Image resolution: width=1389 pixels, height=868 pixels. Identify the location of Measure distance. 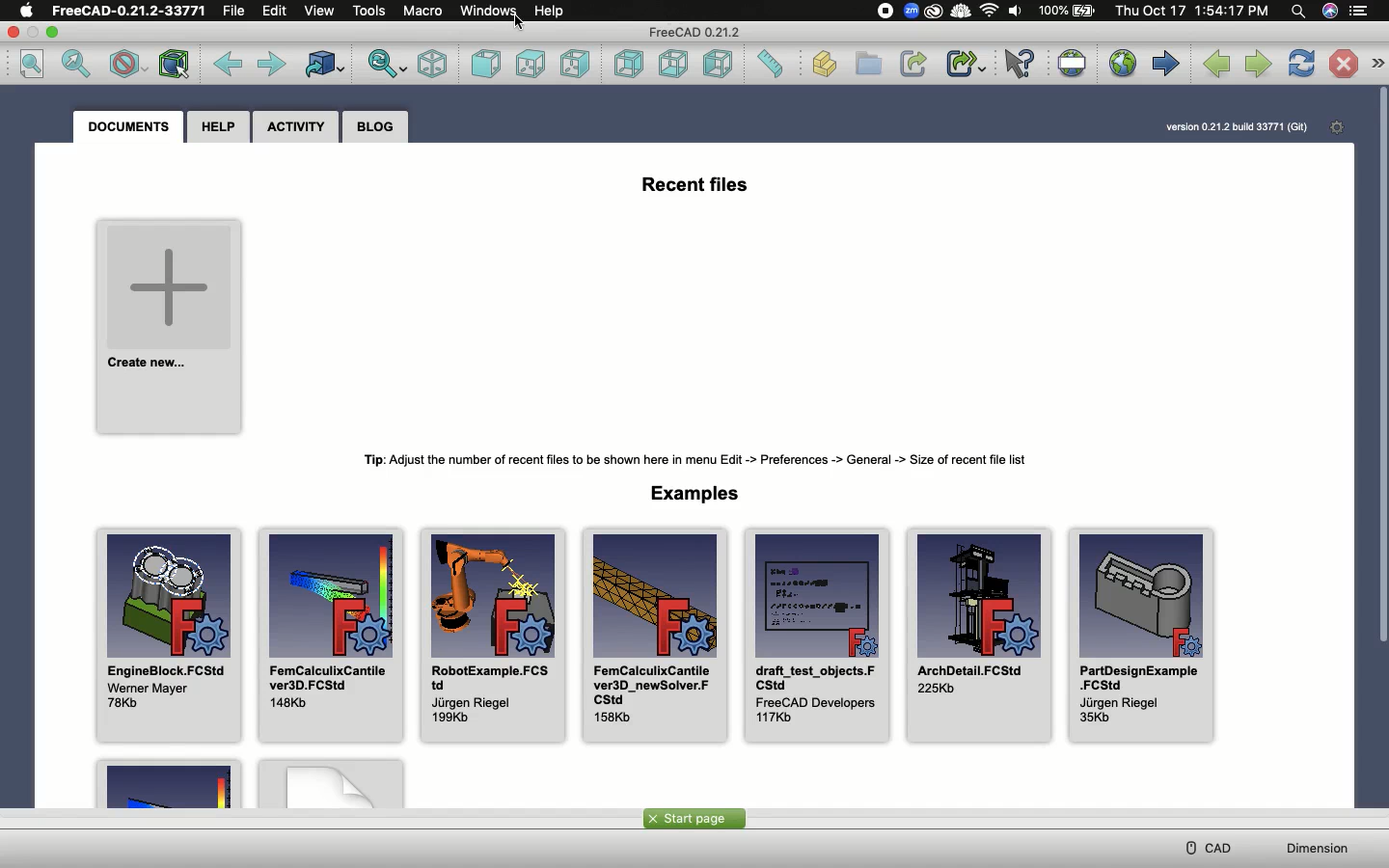
(773, 66).